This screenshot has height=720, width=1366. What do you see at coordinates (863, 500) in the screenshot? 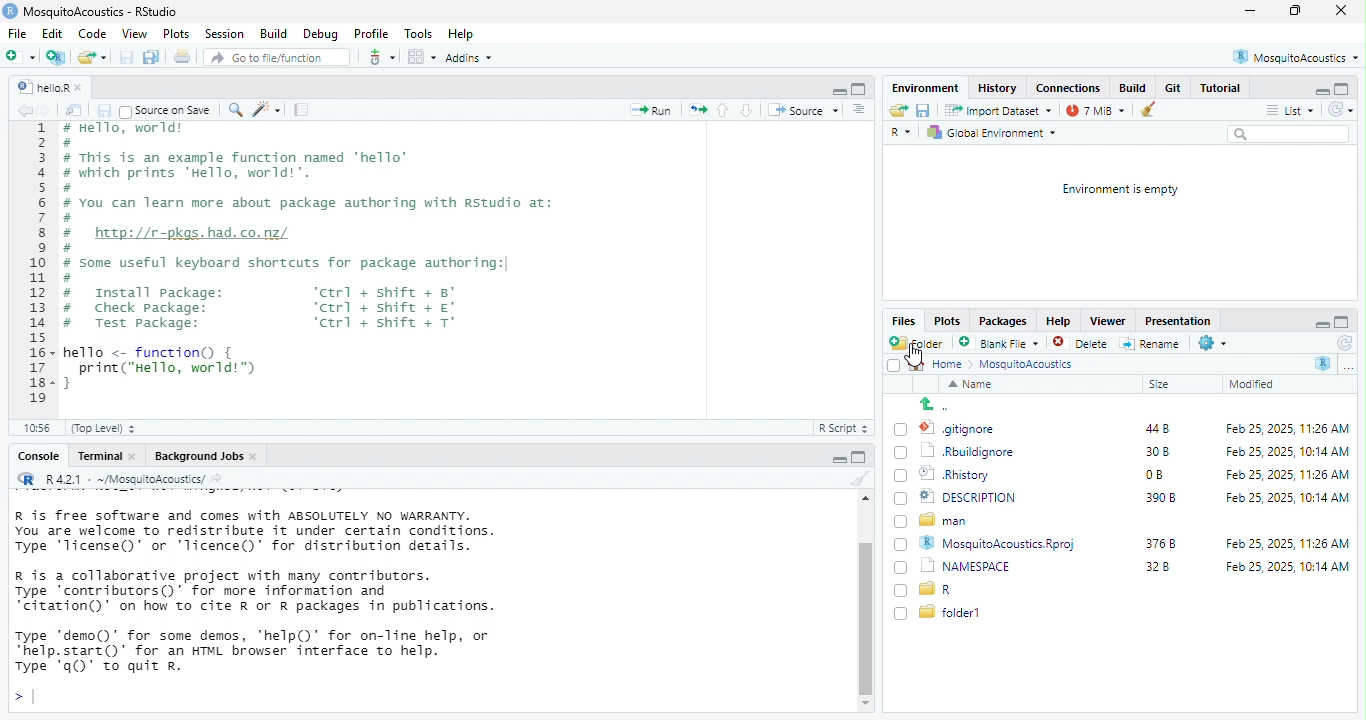
I see `scroll up` at bounding box center [863, 500].